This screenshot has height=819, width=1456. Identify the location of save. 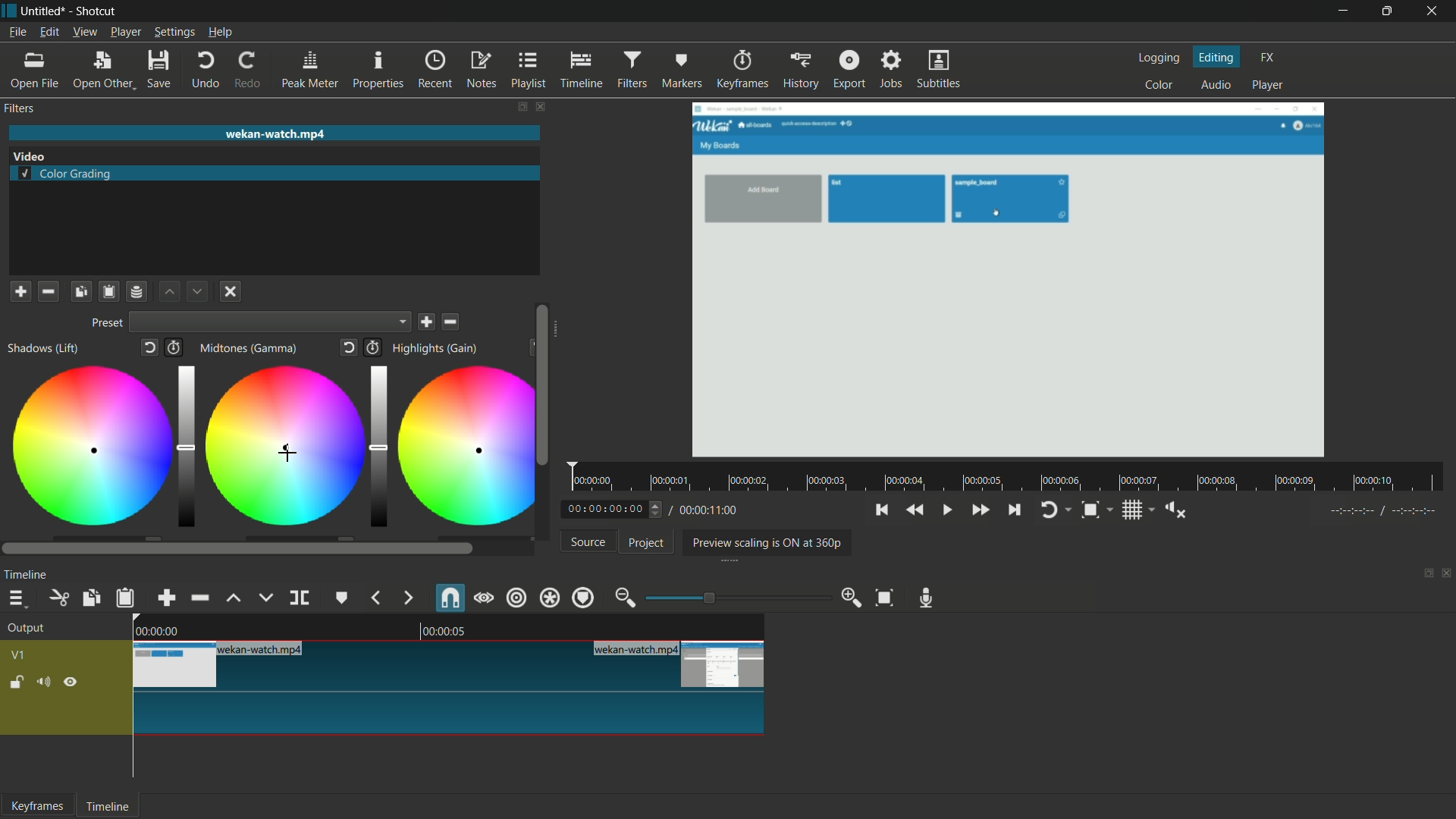
(162, 69).